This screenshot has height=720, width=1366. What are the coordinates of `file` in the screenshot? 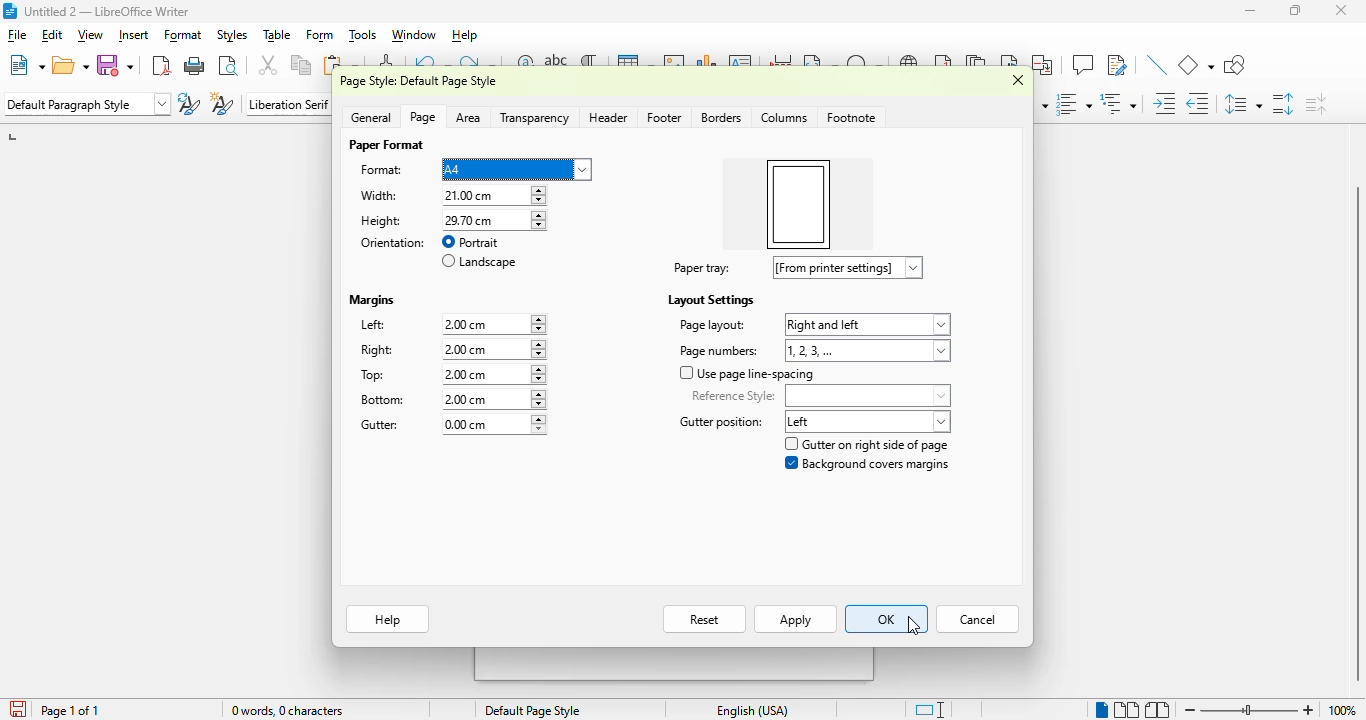 It's located at (18, 34).